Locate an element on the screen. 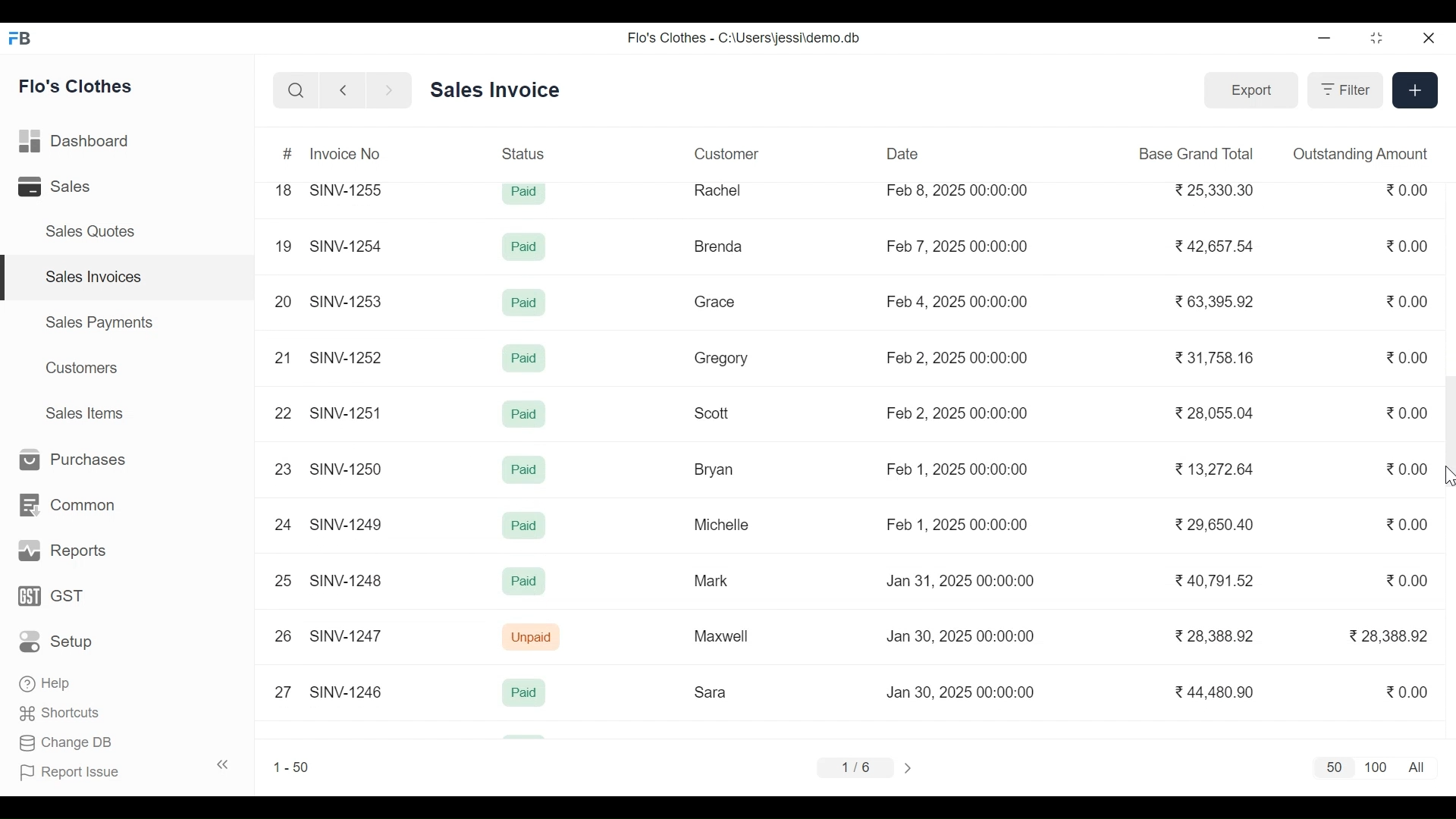 The width and height of the screenshot is (1456, 819). 0.00 is located at coordinates (1409, 301).